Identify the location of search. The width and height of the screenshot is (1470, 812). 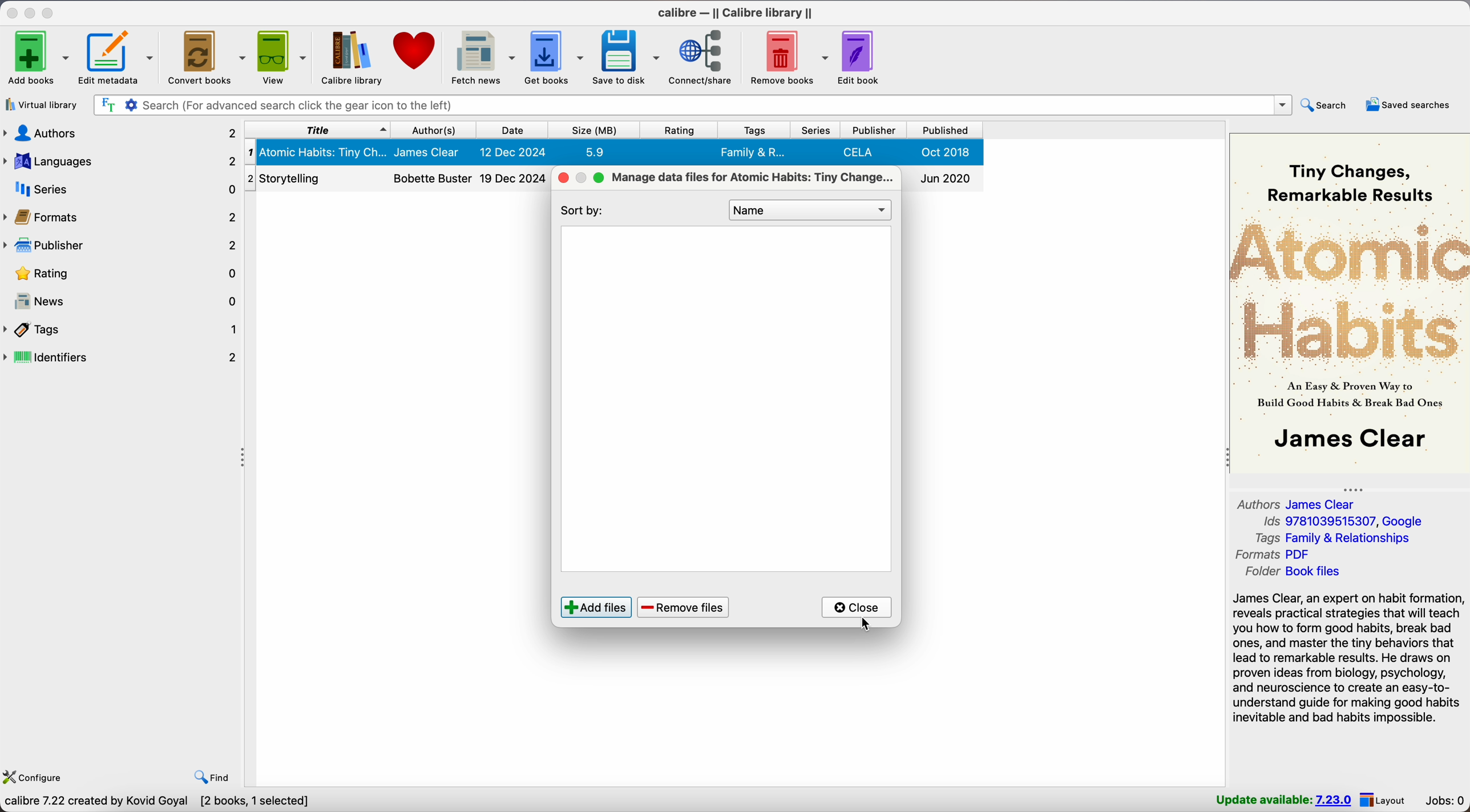
(1327, 104).